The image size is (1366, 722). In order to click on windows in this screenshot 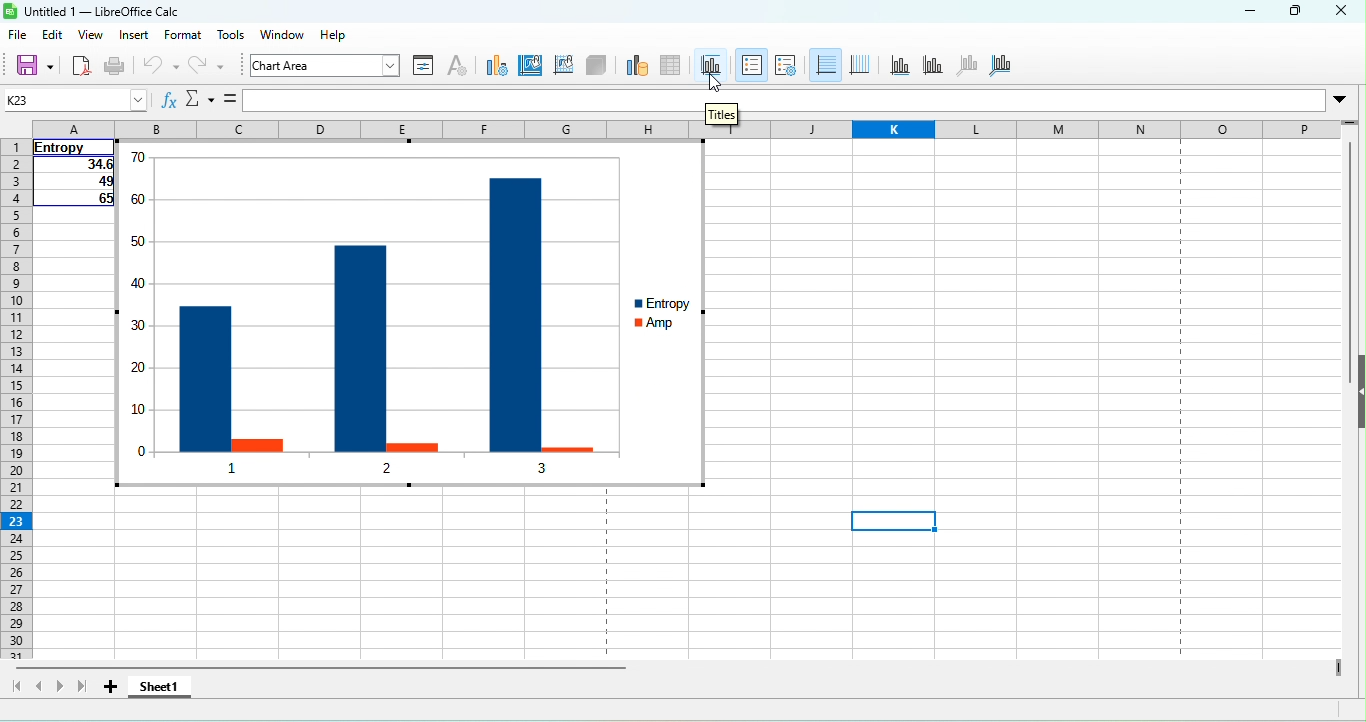, I will do `click(280, 38)`.